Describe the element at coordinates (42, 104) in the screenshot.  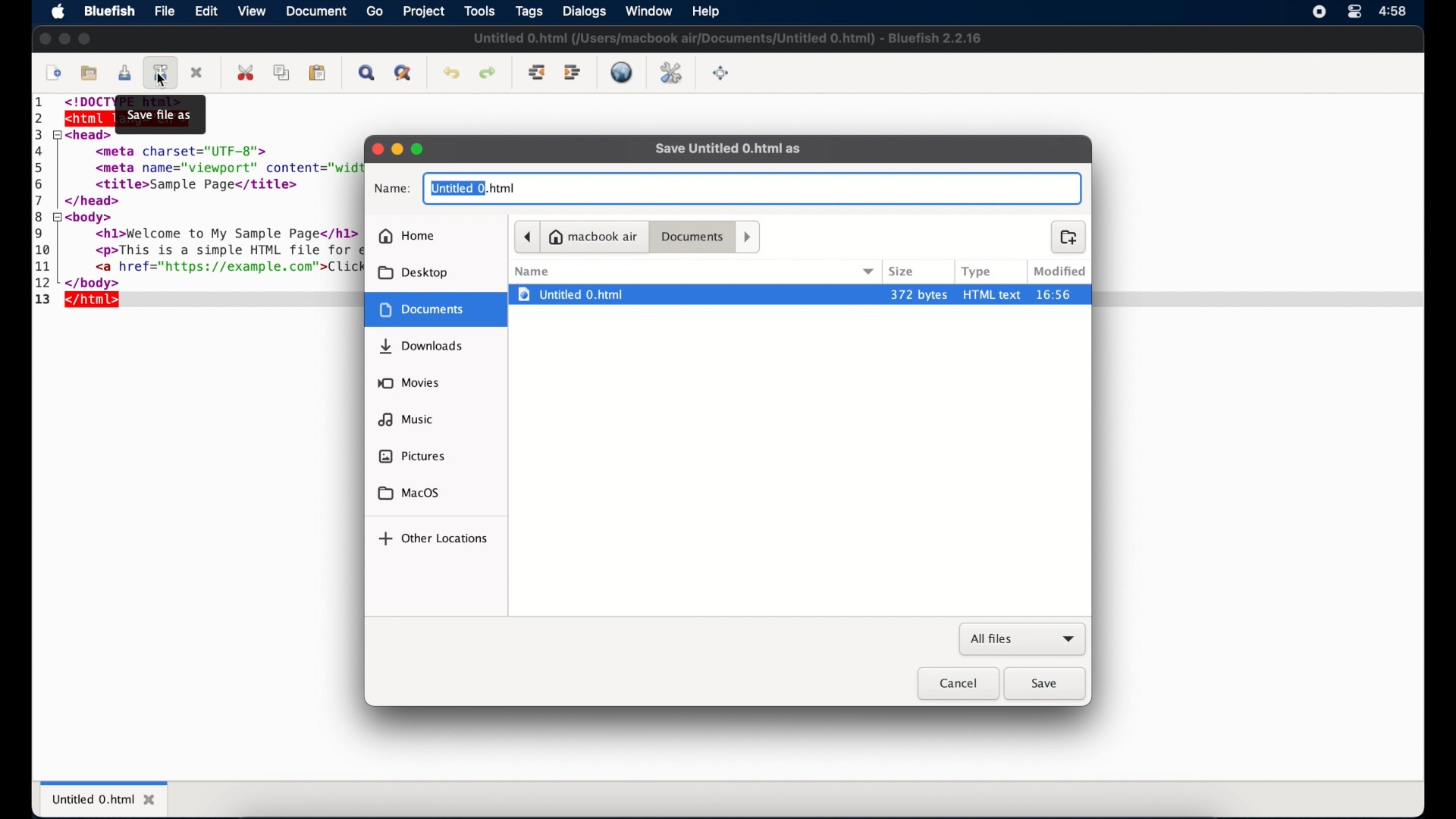
I see `1` at that location.